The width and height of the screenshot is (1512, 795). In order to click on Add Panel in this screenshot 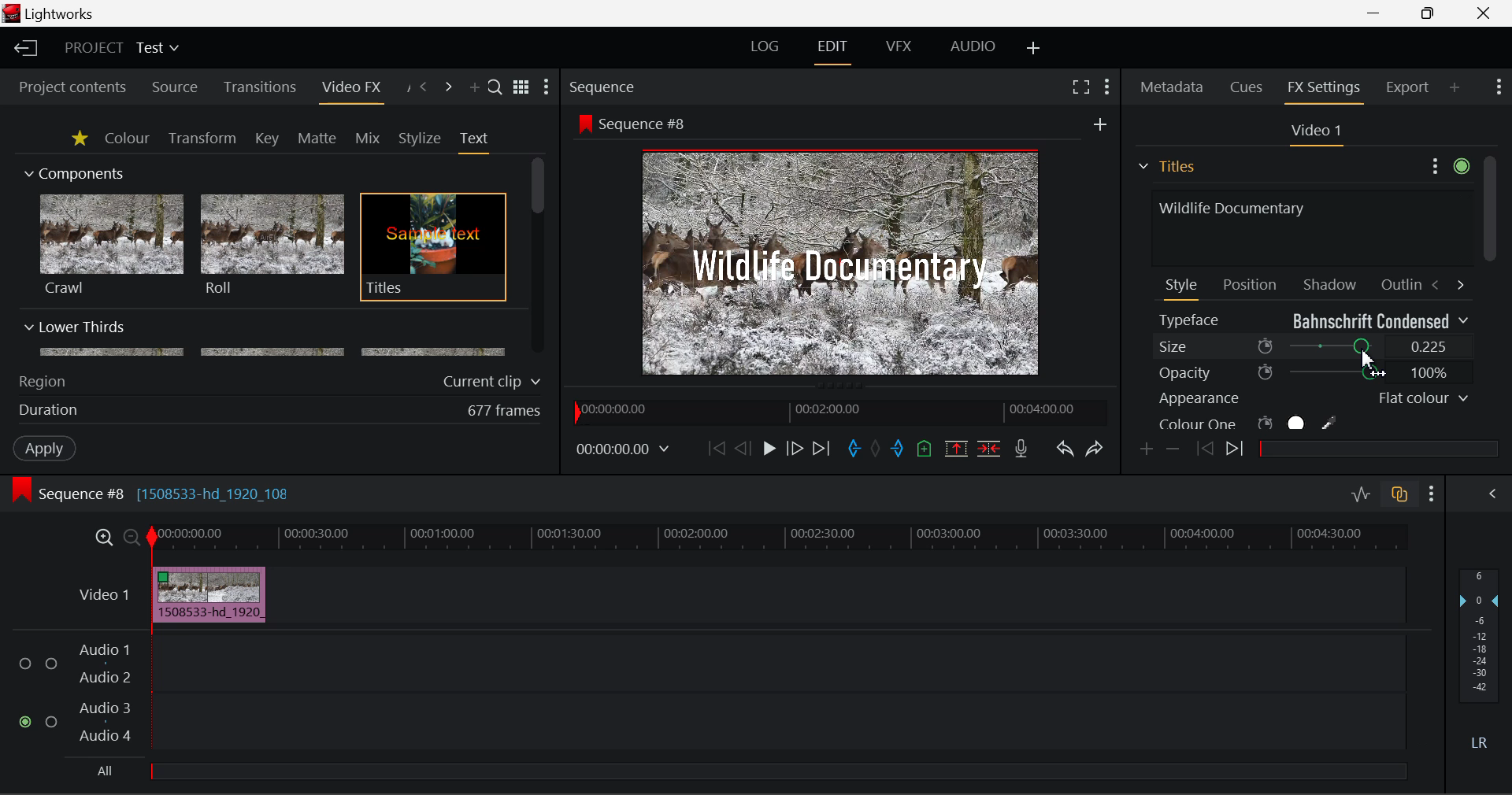, I will do `click(472, 88)`.